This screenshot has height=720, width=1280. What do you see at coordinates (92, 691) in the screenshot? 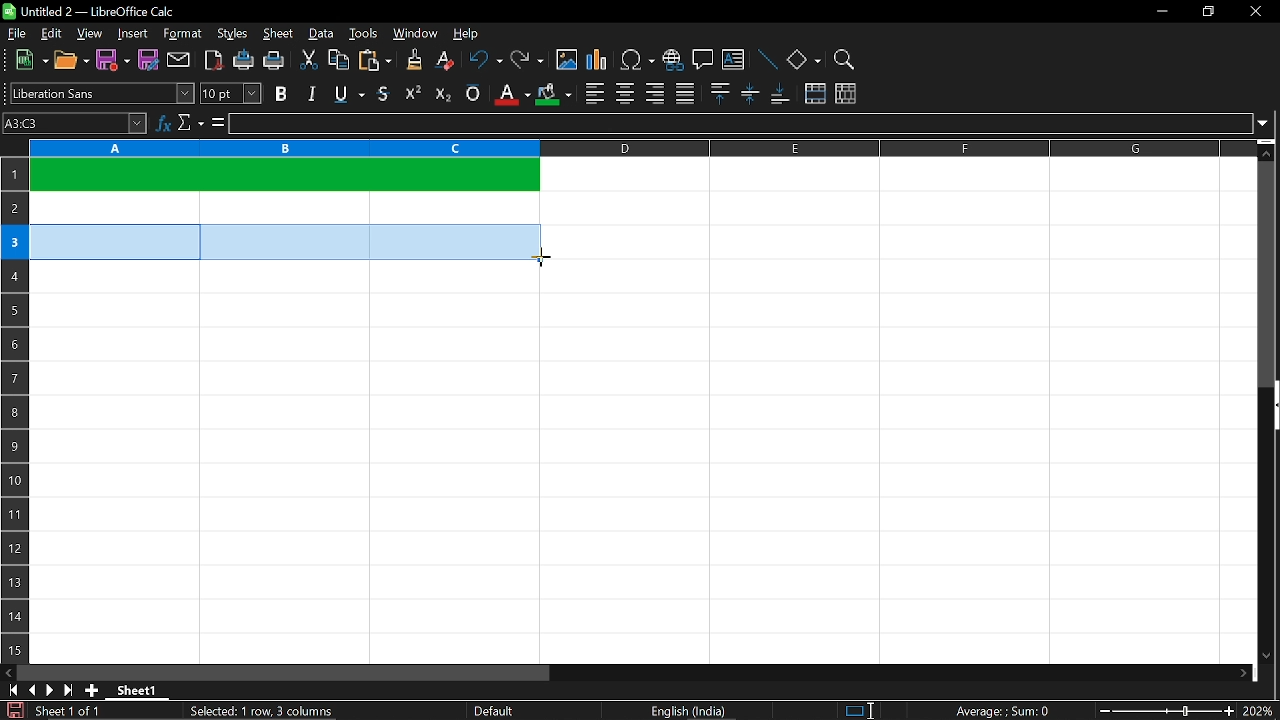
I see `add sheet` at bounding box center [92, 691].